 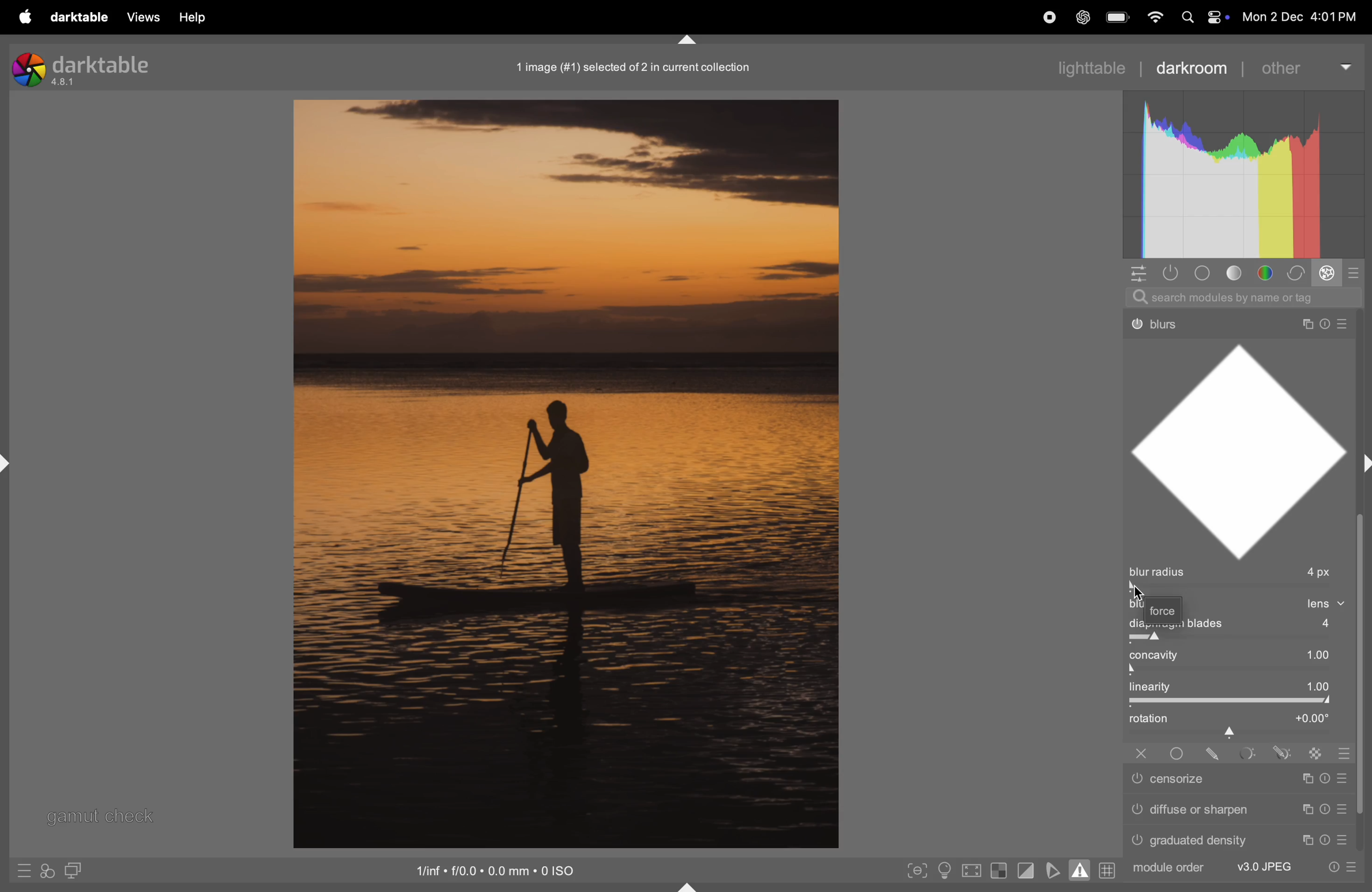 What do you see at coordinates (1242, 839) in the screenshot?
I see `` at bounding box center [1242, 839].